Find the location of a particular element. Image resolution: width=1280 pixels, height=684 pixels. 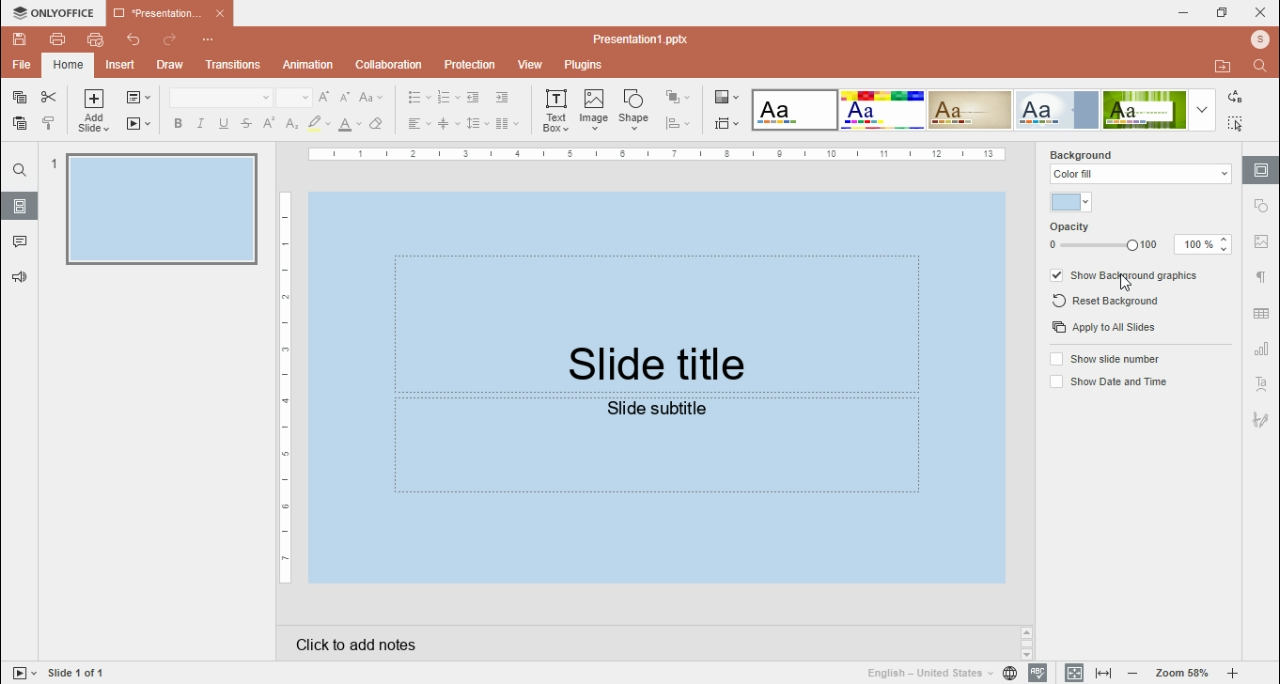

redo is located at coordinates (169, 40).